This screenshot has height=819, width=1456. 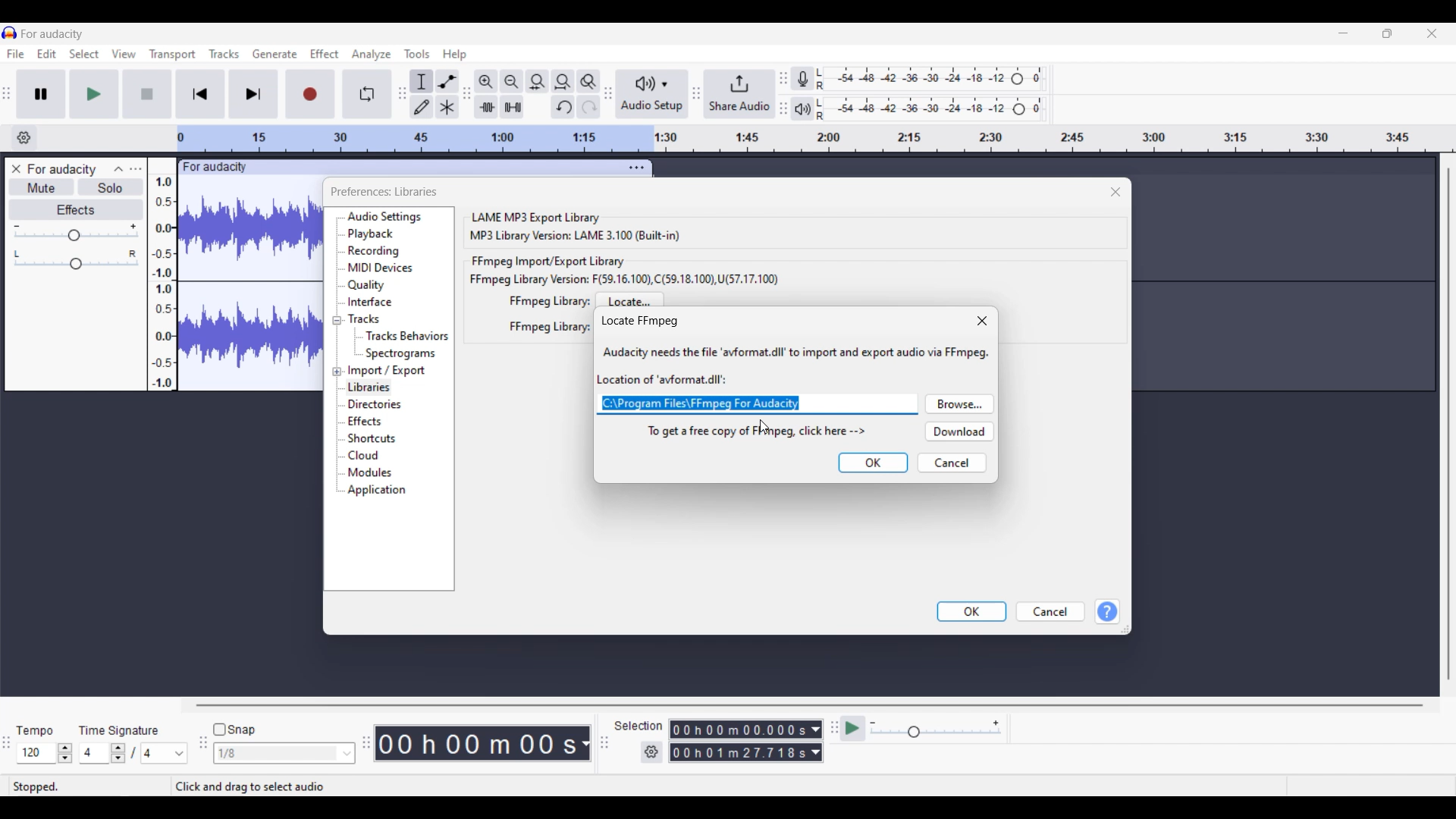 I want to click on MIDI devices, so click(x=380, y=268).